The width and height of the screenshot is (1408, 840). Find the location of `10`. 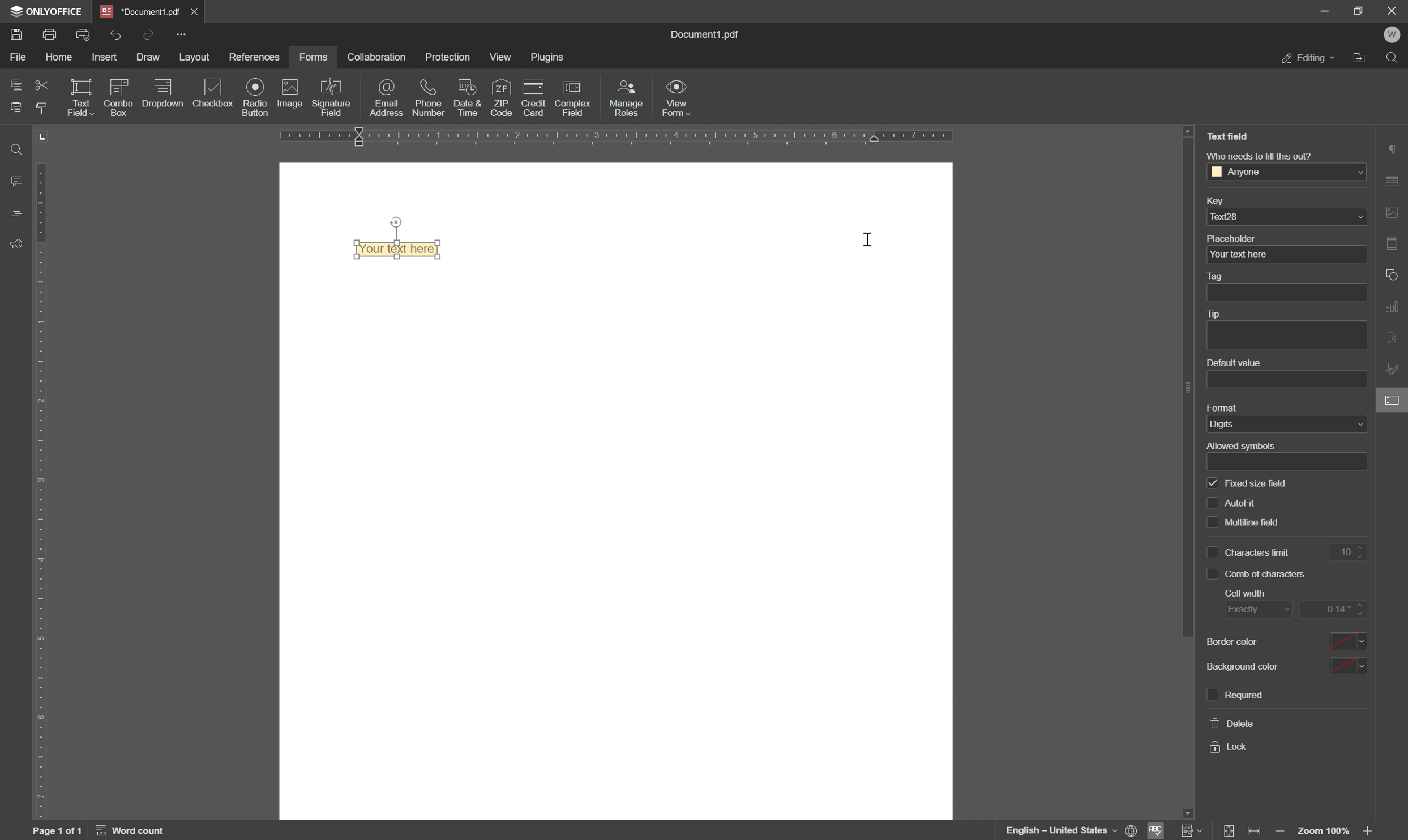

10 is located at coordinates (1351, 552).